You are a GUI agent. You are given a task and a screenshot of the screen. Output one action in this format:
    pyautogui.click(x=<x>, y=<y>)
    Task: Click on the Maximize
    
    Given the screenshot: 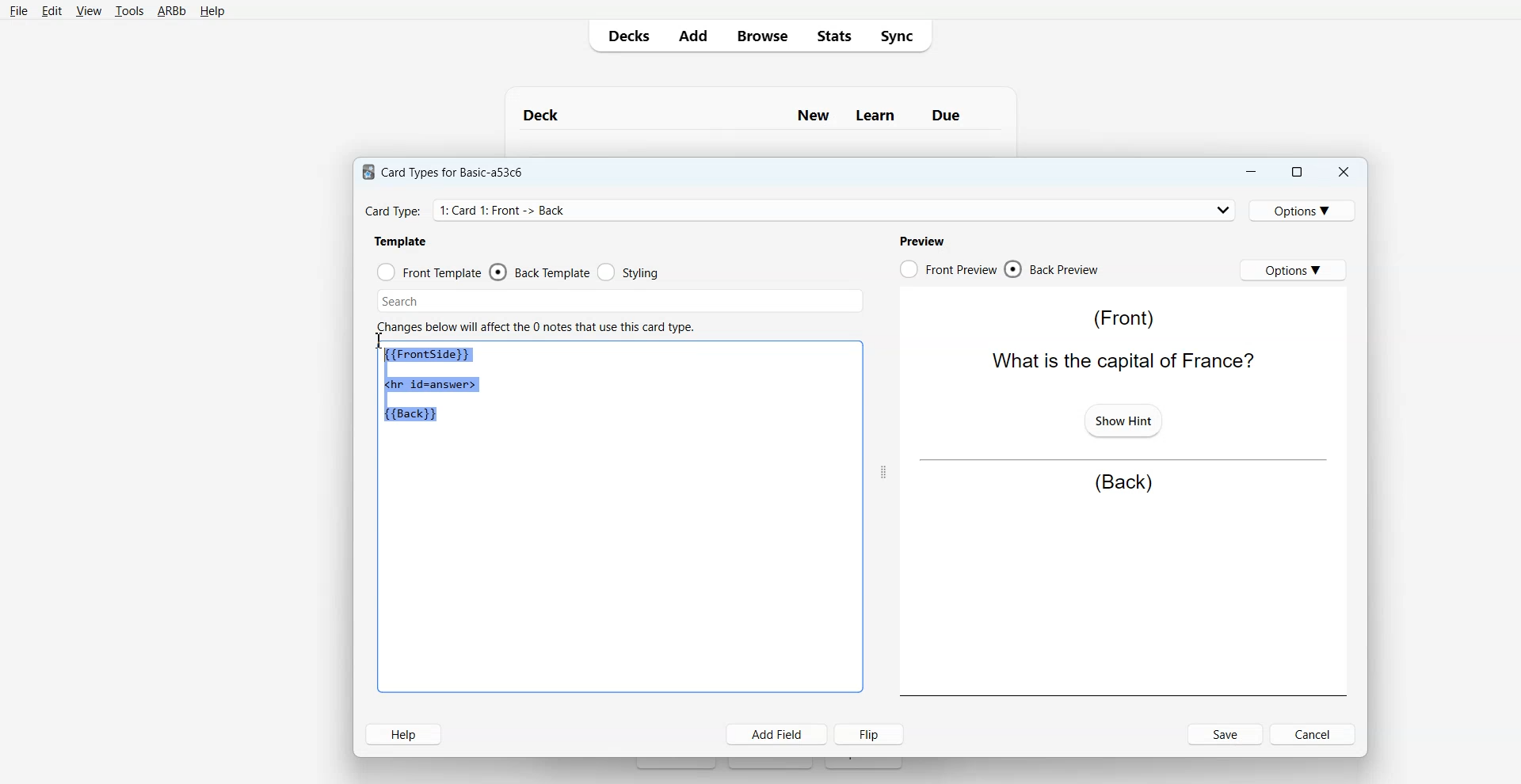 What is the action you would take?
    pyautogui.click(x=1295, y=172)
    